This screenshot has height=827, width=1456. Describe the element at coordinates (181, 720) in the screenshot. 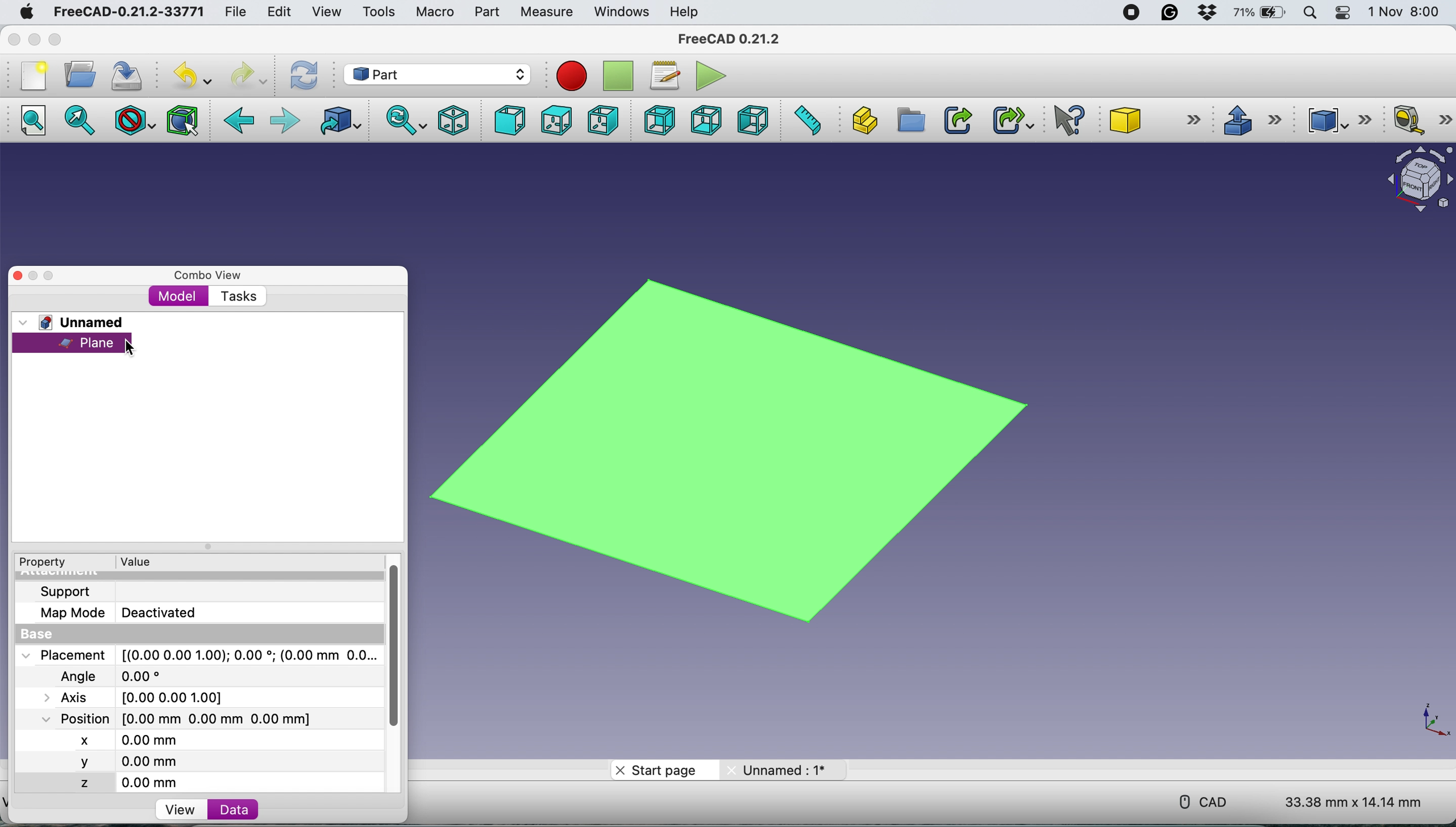

I see `Position [0.00 mm 0.00 mm 0.00 mm]` at that location.